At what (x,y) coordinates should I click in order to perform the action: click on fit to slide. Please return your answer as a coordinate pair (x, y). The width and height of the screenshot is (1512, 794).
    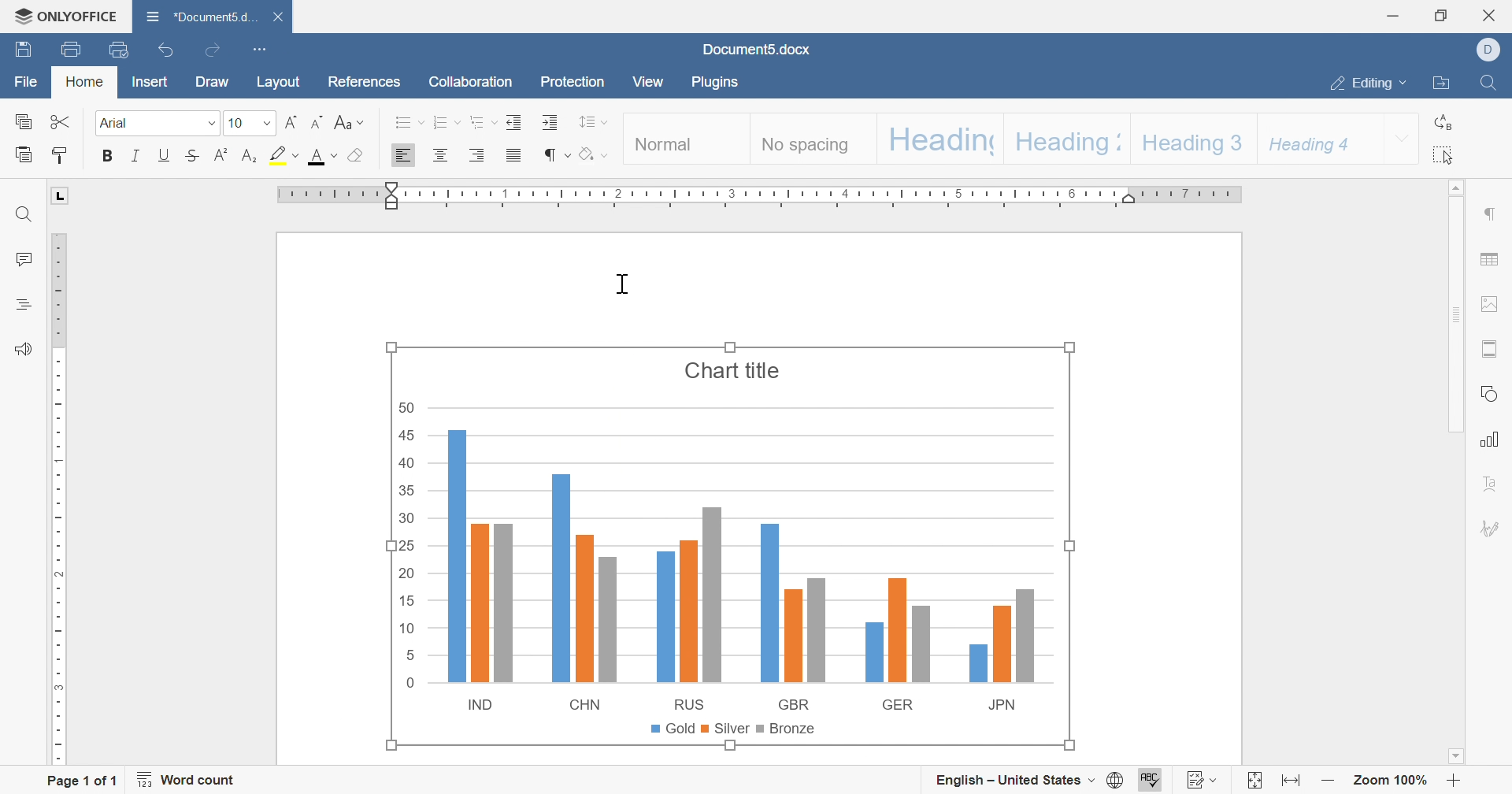
    Looking at the image, I should click on (1254, 781).